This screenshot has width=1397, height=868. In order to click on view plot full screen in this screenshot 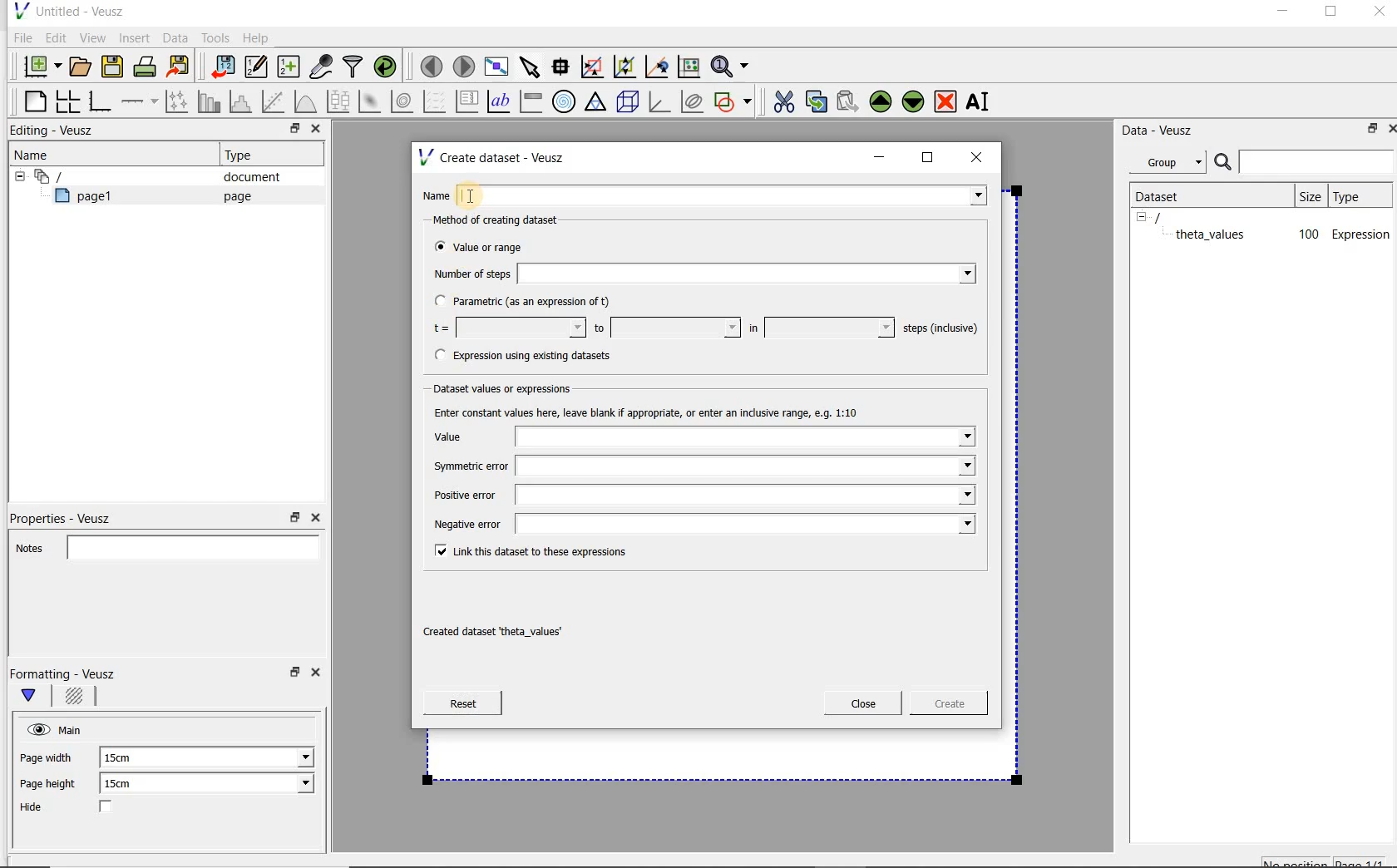, I will do `click(495, 65)`.